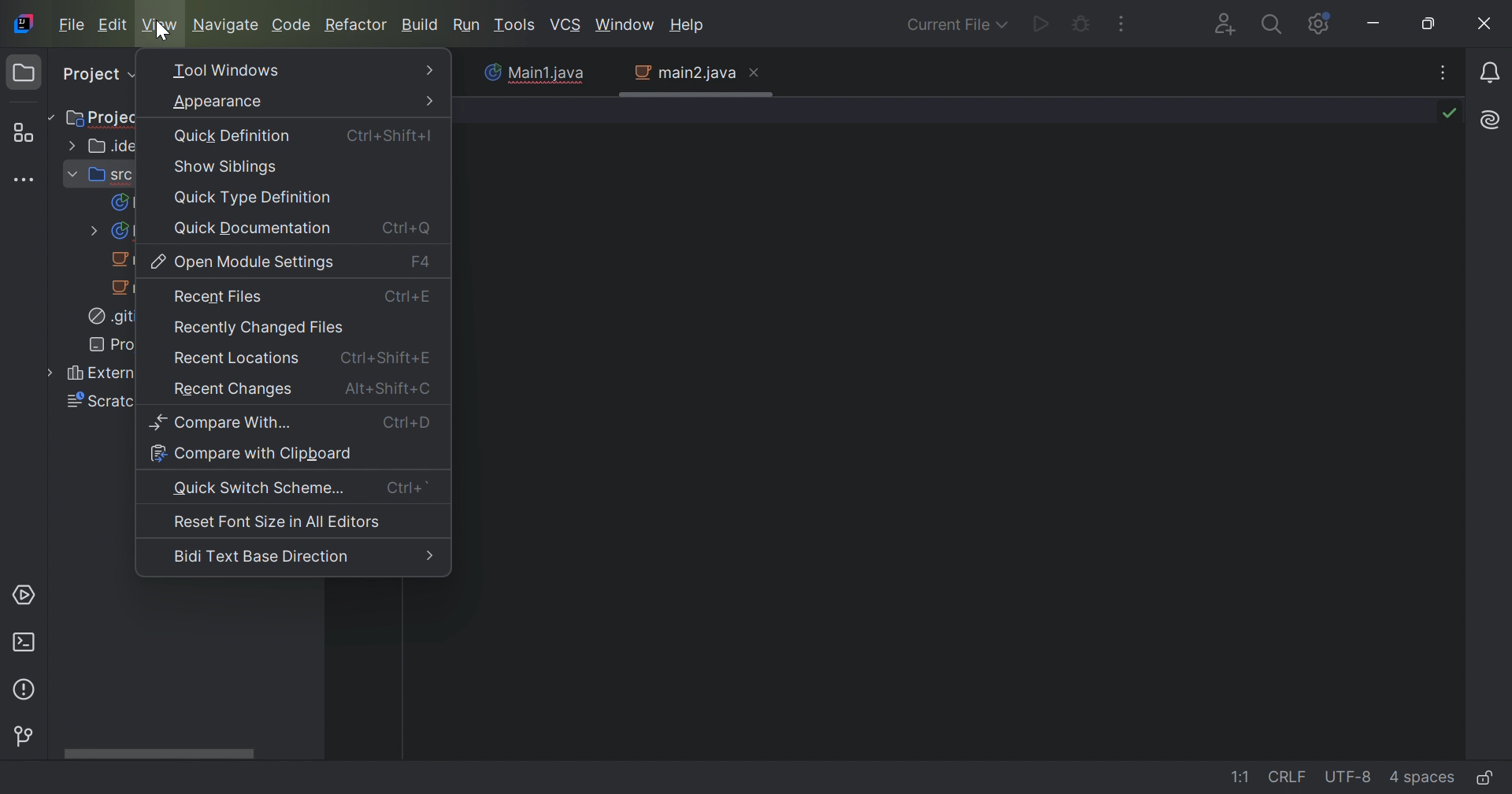 Image resolution: width=1512 pixels, height=794 pixels. What do you see at coordinates (277, 525) in the screenshot?
I see `Reset font size in all editors` at bounding box center [277, 525].